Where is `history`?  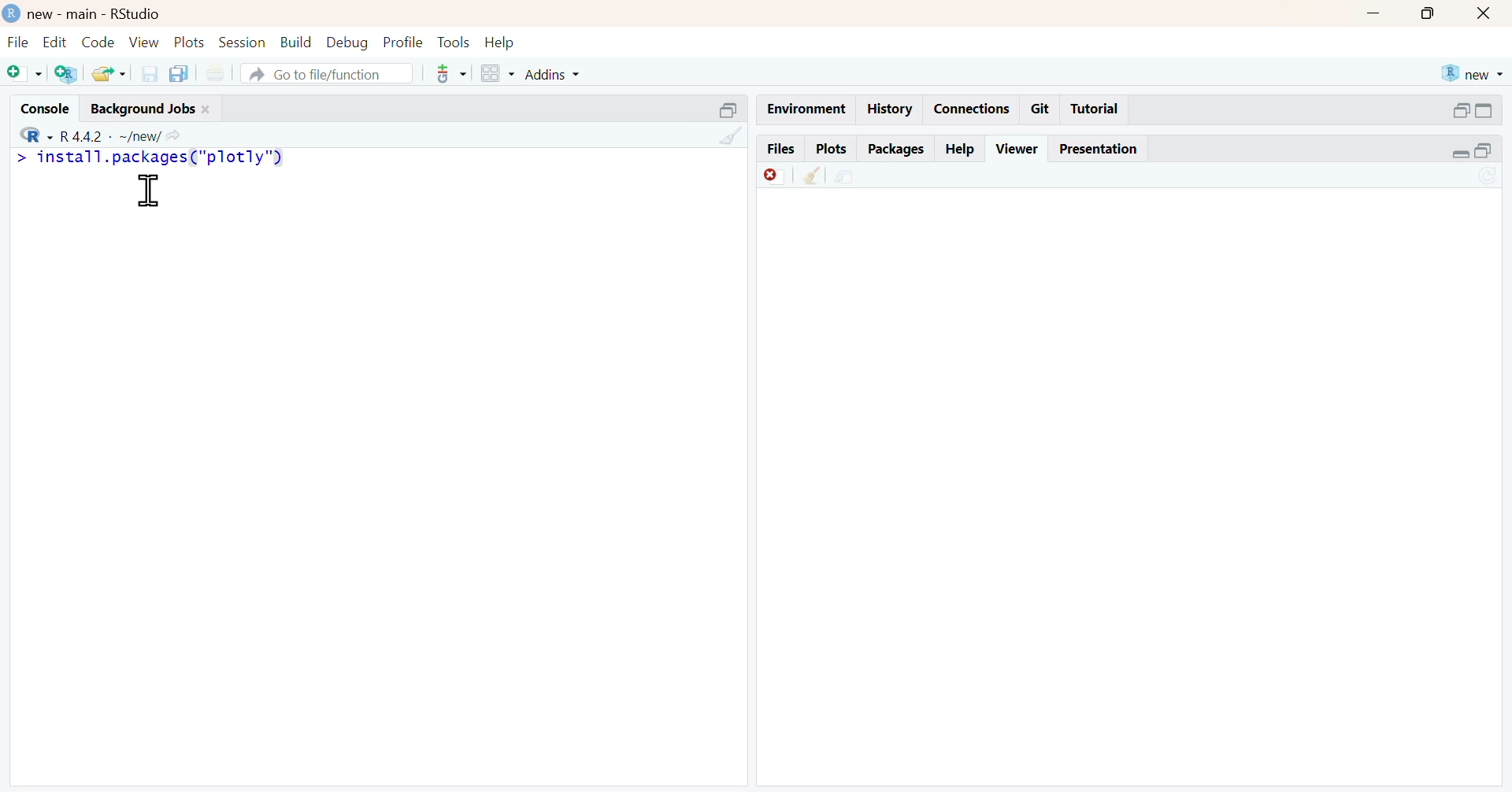
history is located at coordinates (888, 109).